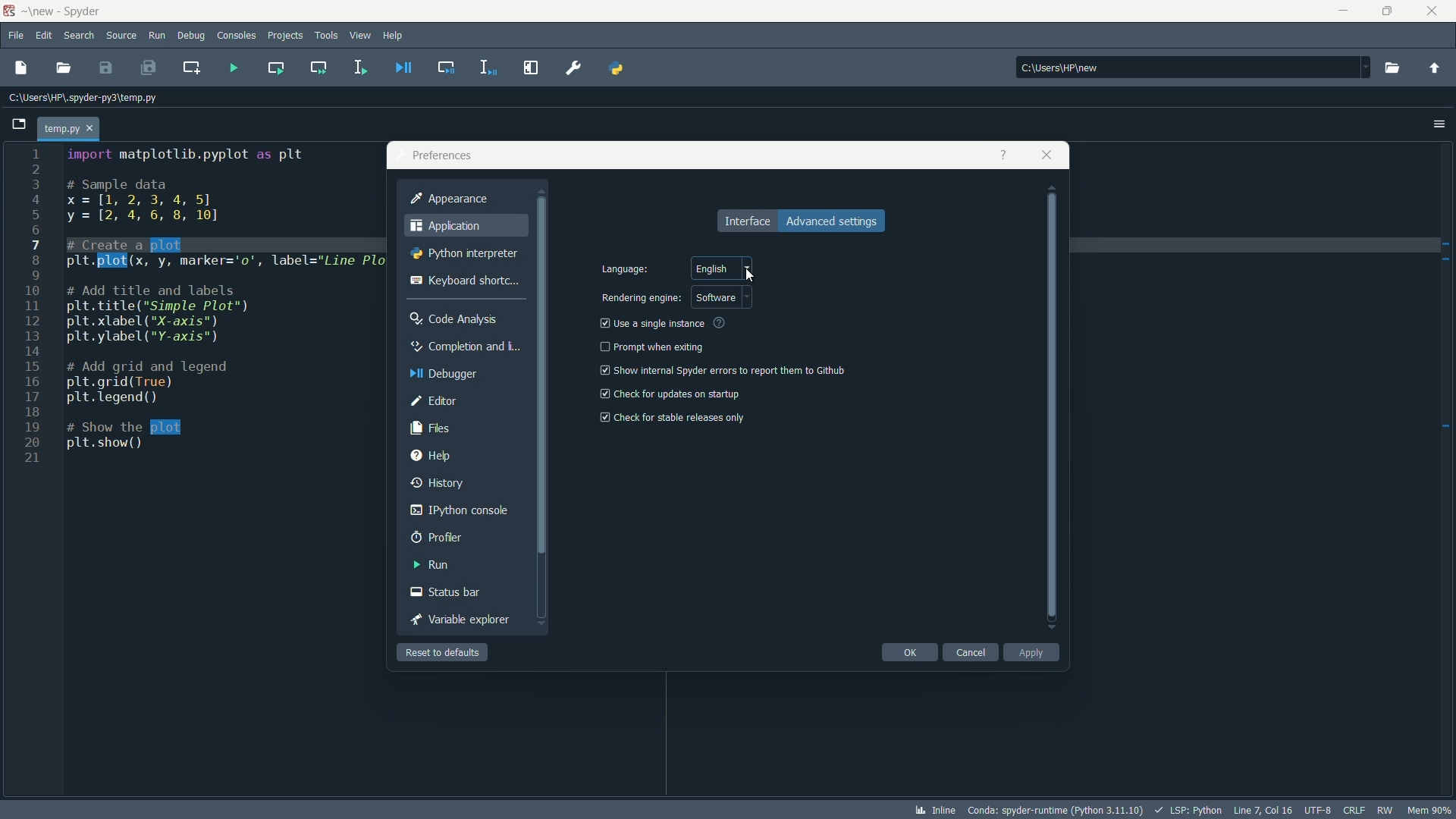  Describe the element at coordinates (732, 369) in the screenshot. I see `show internal spyder errors to report them to github` at that location.